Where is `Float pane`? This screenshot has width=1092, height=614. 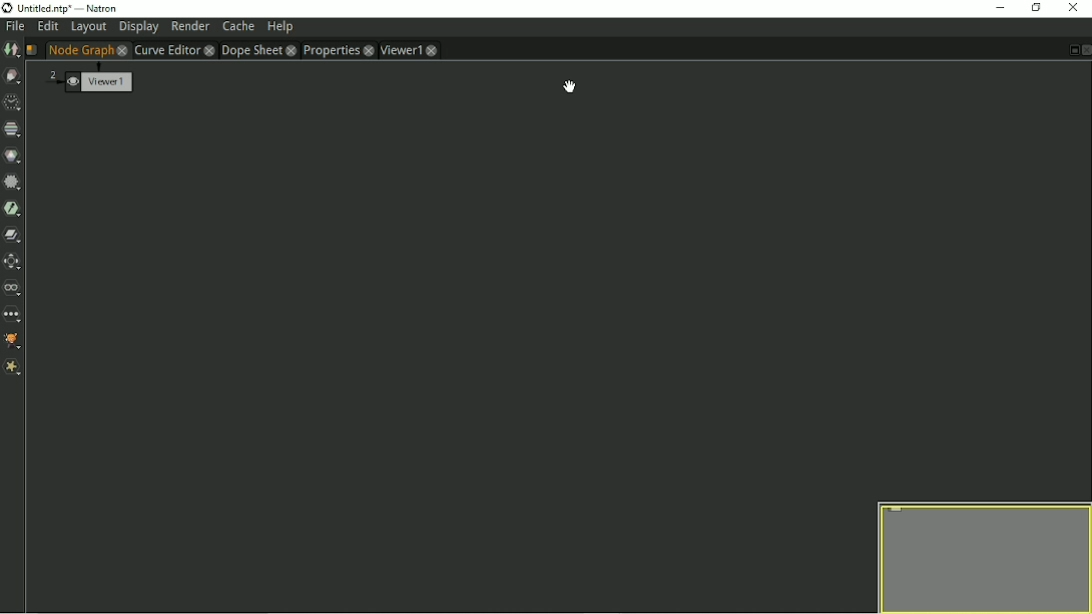
Float pane is located at coordinates (1072, 50).